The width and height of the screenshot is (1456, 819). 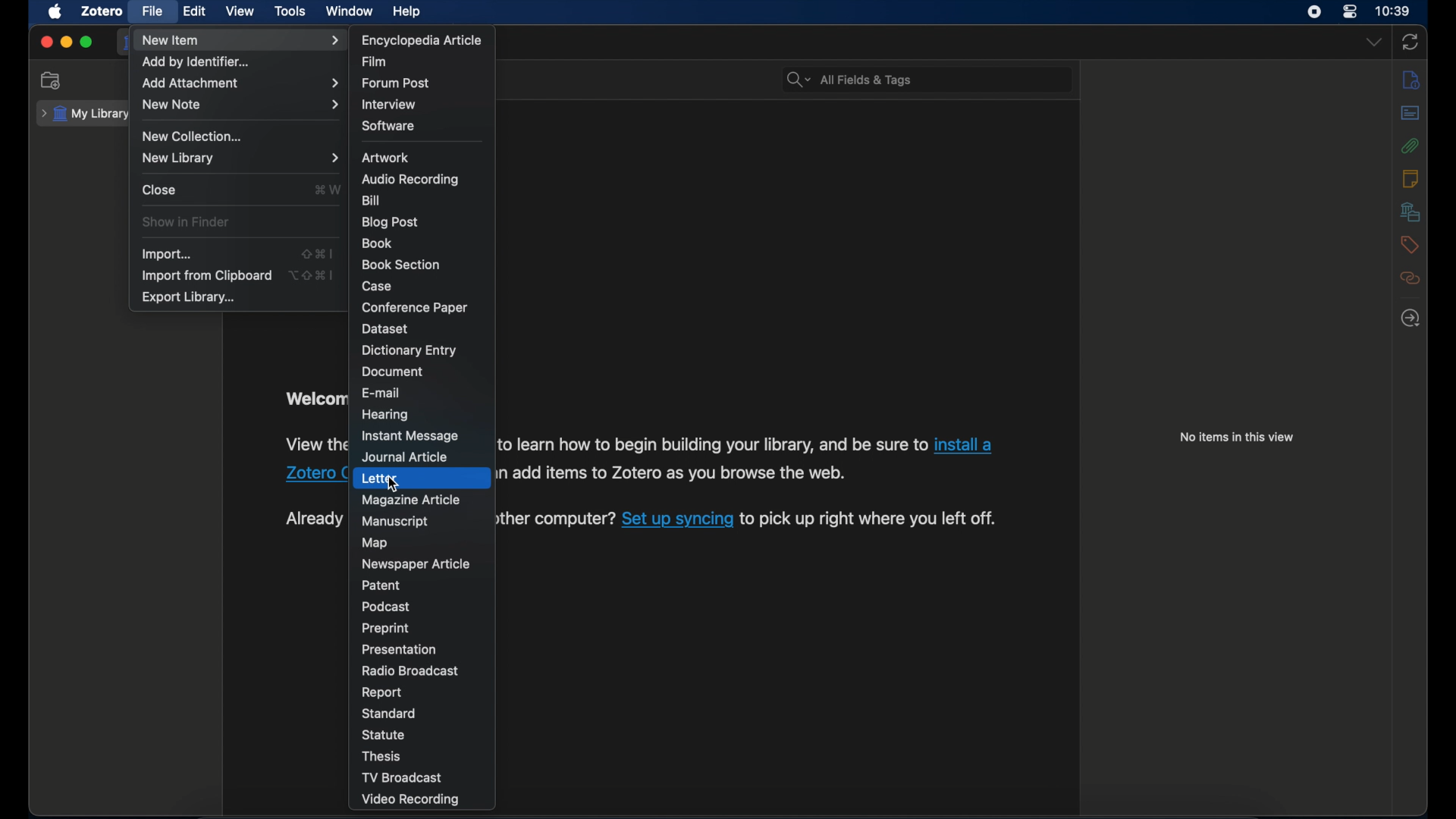 I want to click on sync, so click(x=1411, y=42).